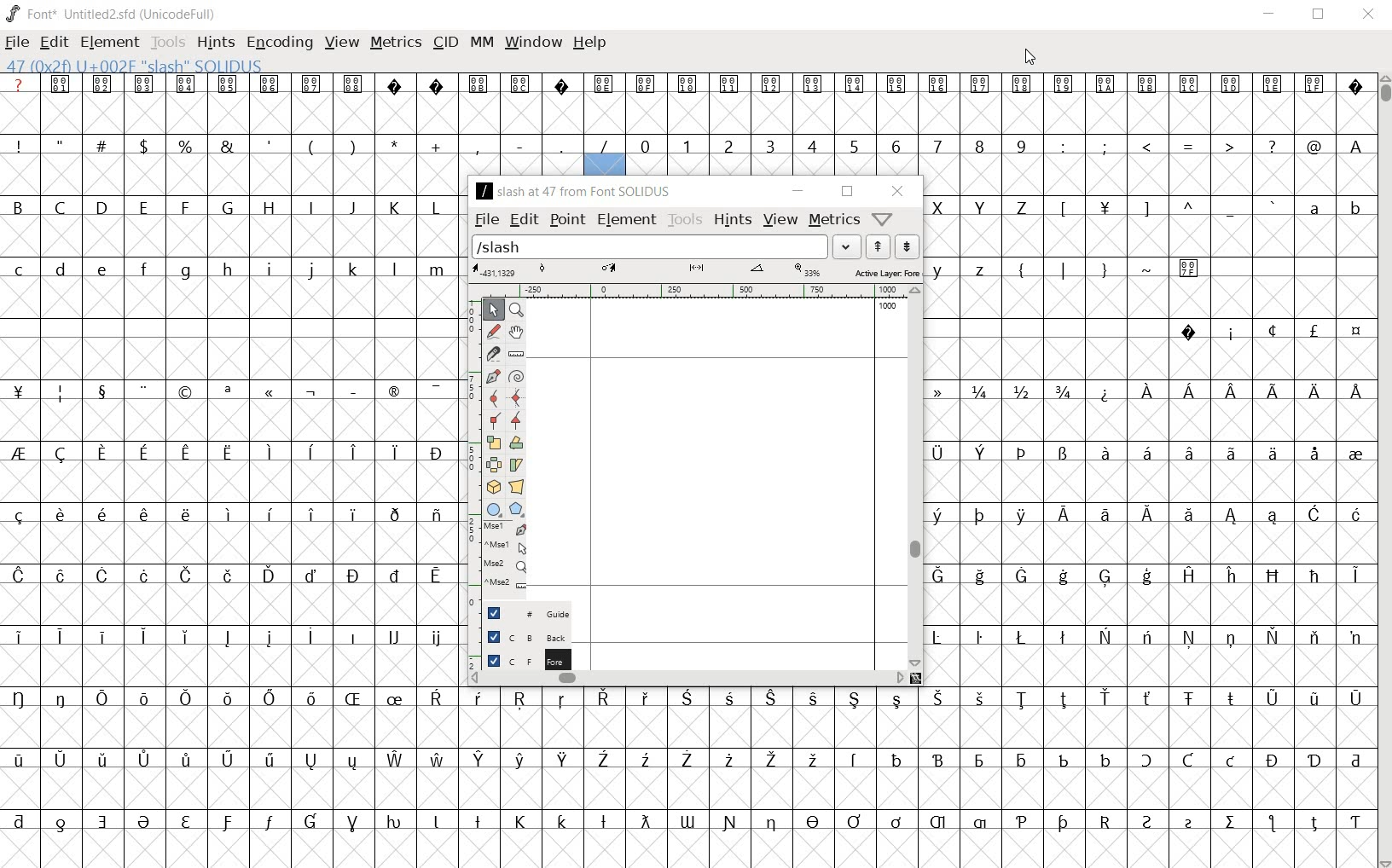 This screenshot has width=1392, height=868. Describe the element at coordinates (232, 605) in the screenshot. I see `empty cells` at that location.